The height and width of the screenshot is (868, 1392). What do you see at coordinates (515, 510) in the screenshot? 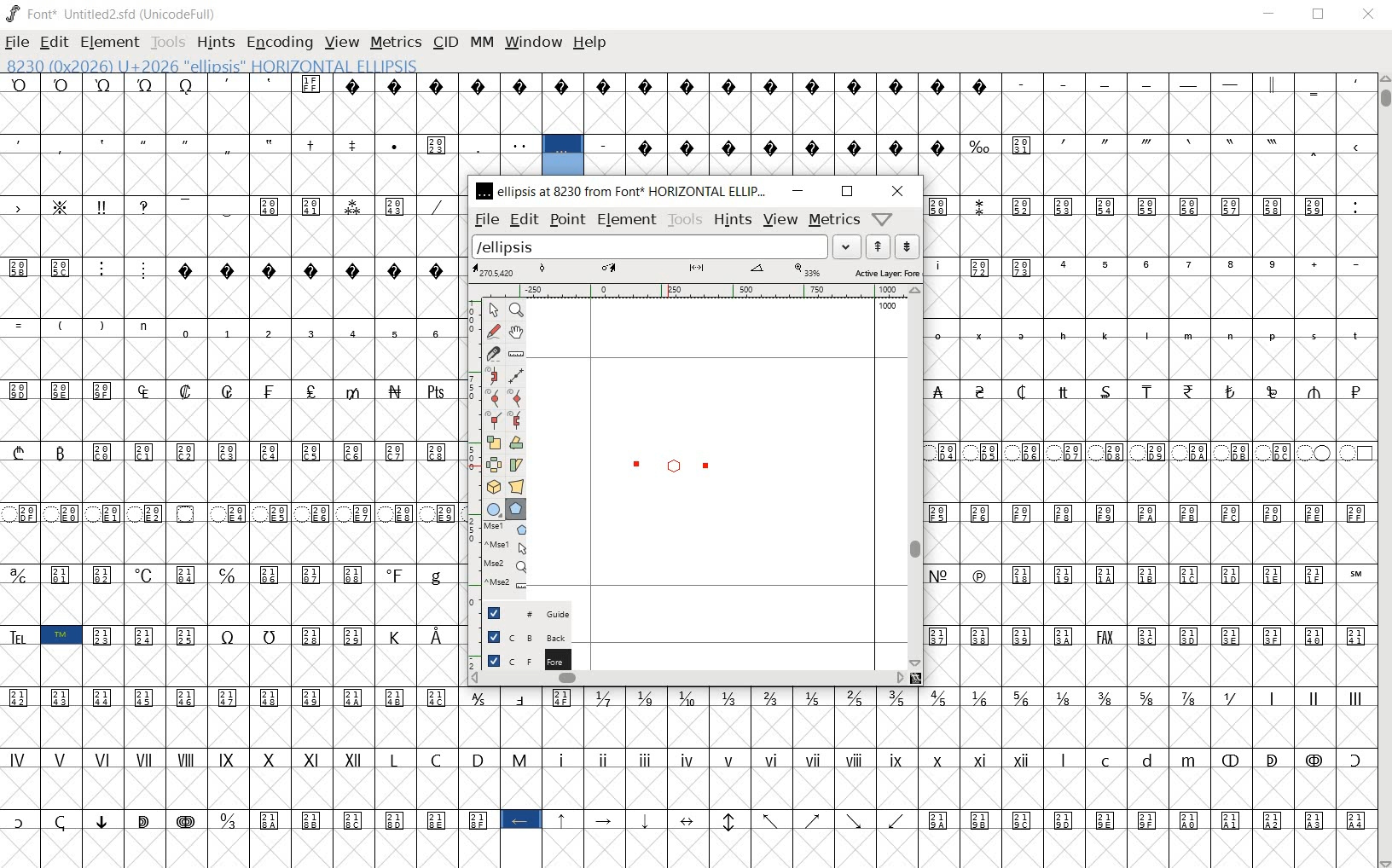
I see `polygon or star` at bounding box center [515, 510].